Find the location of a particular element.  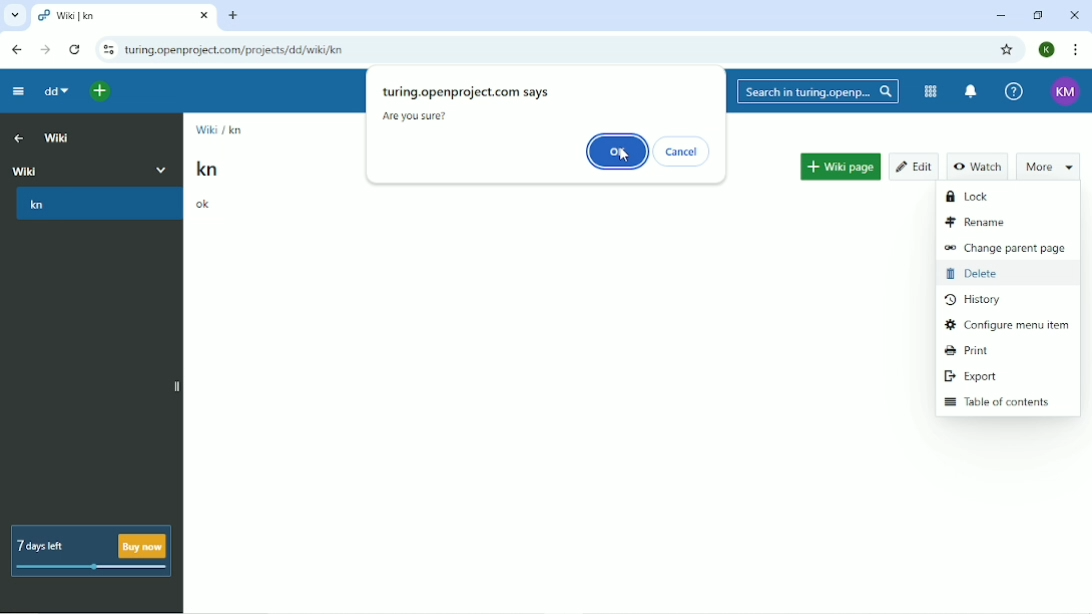

Wiki is located at coordinates (92, 169).